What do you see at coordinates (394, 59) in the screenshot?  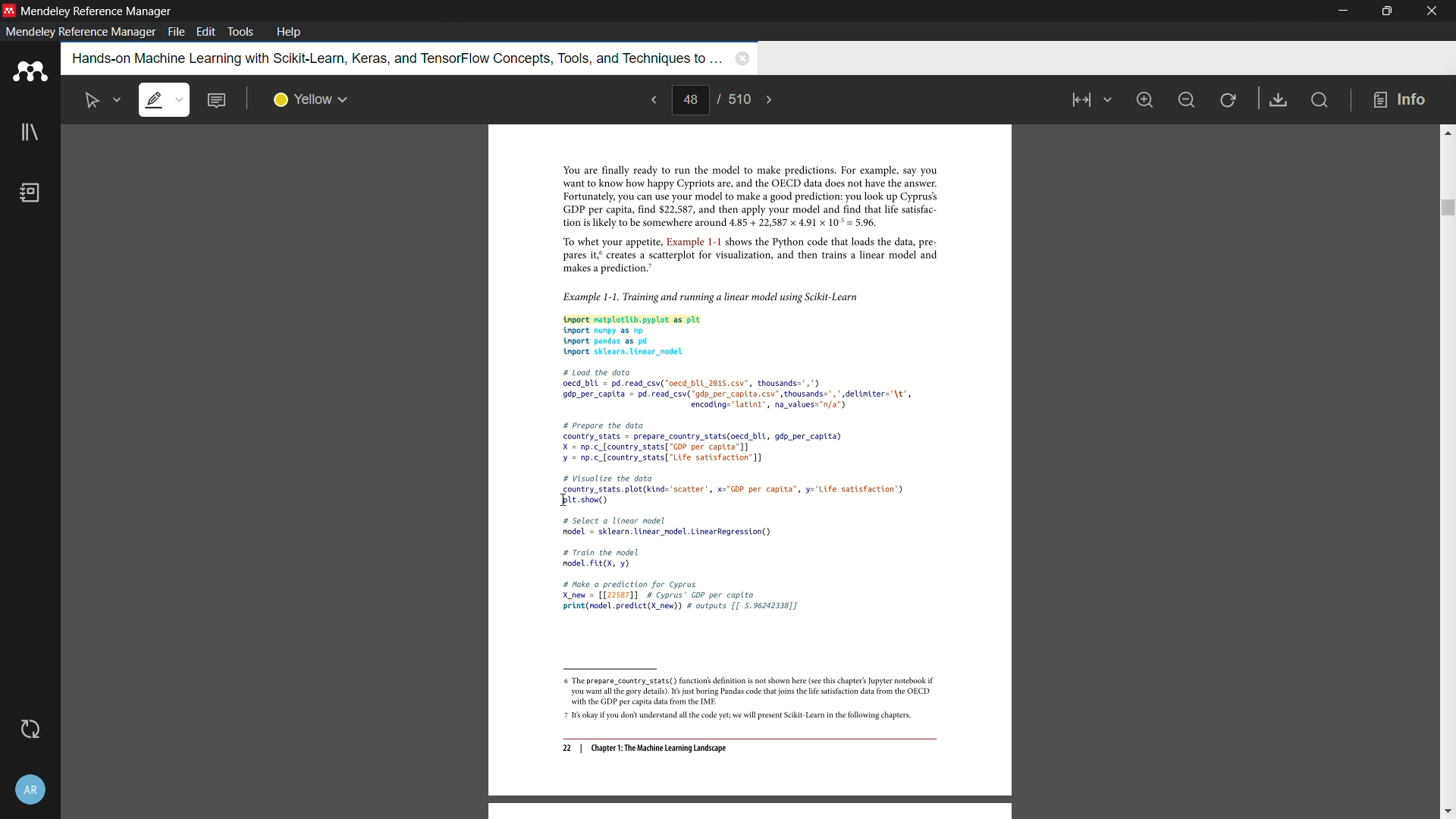 I see `book name` at bounding box center [394, 59].